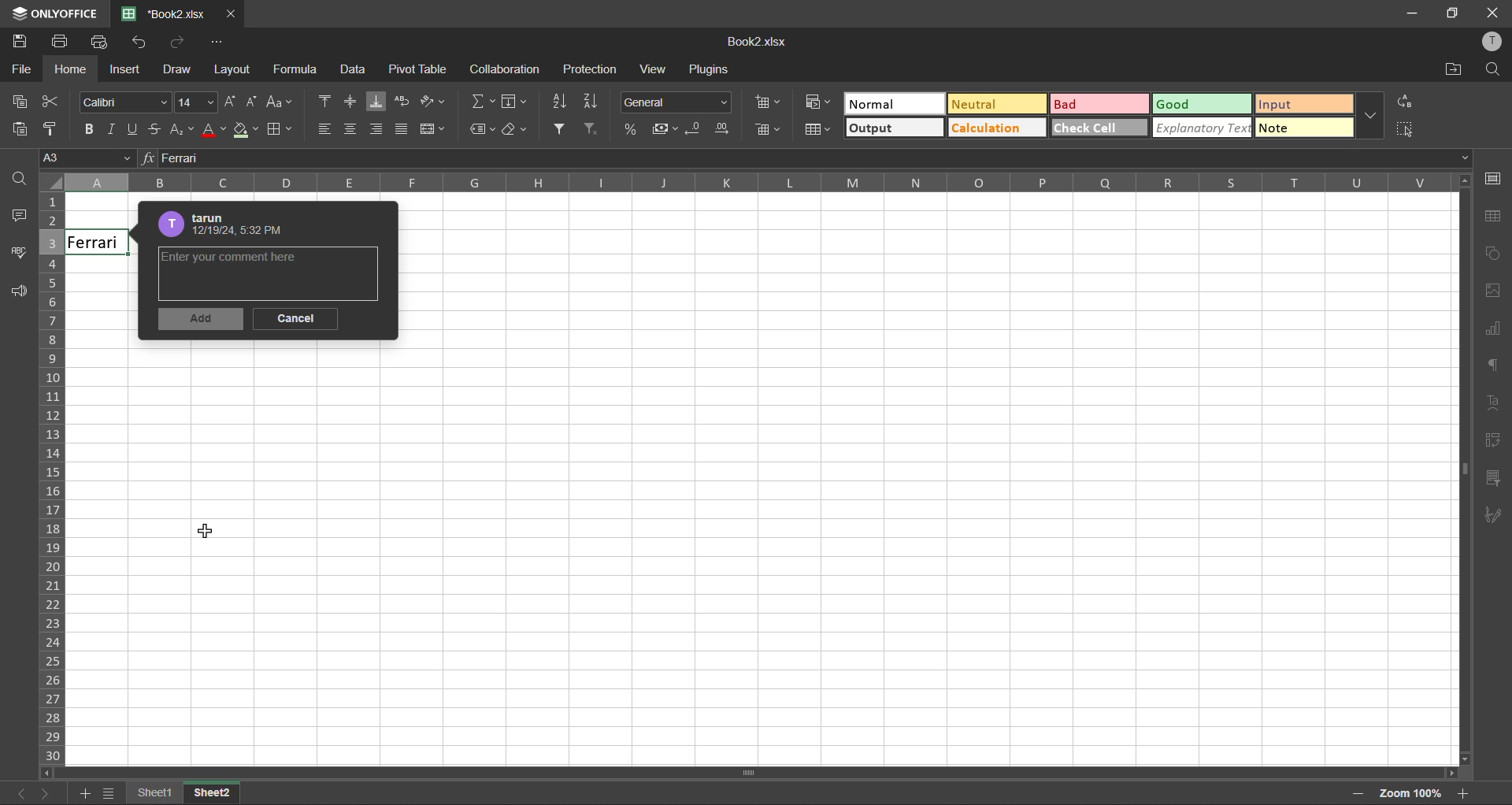 The width and height of the screenshot is (1512, 805). I want to click on profile, so click(1495, 40).